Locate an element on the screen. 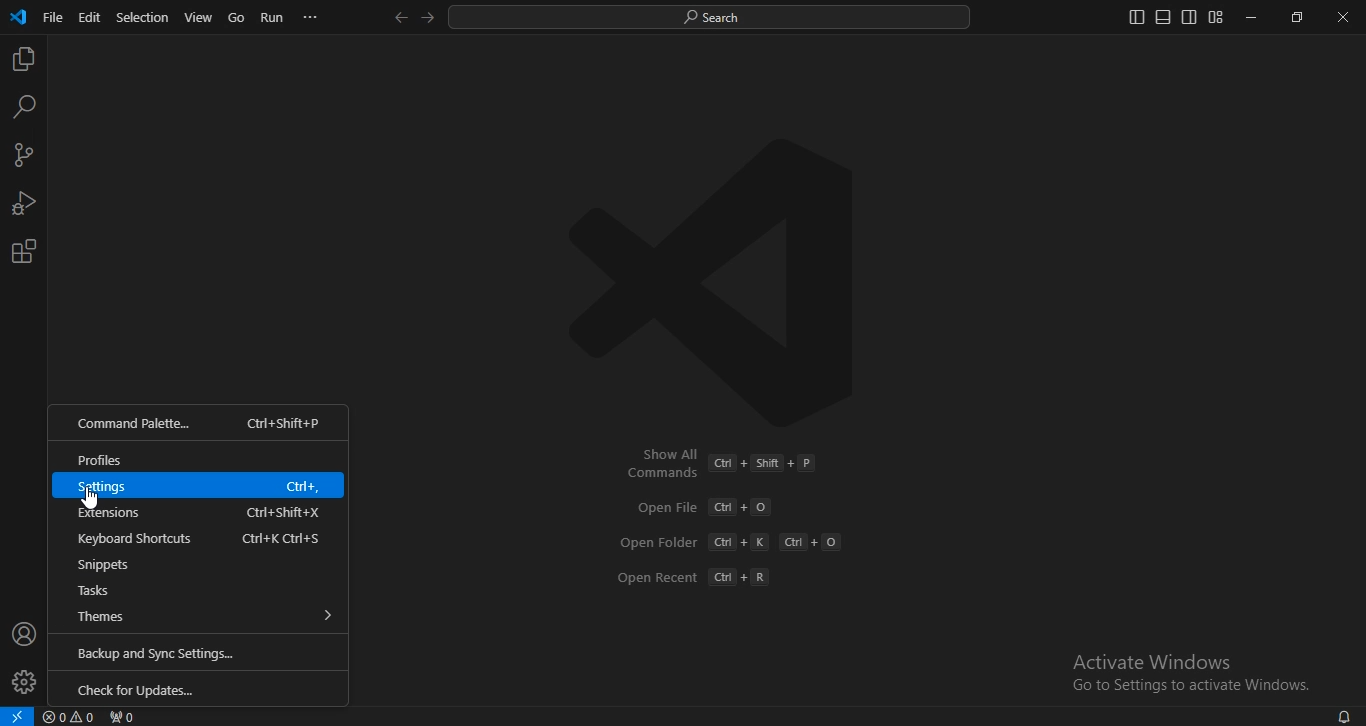 This screenshot has width=1366, height=726. explorer is located at coordinates (22, 60).